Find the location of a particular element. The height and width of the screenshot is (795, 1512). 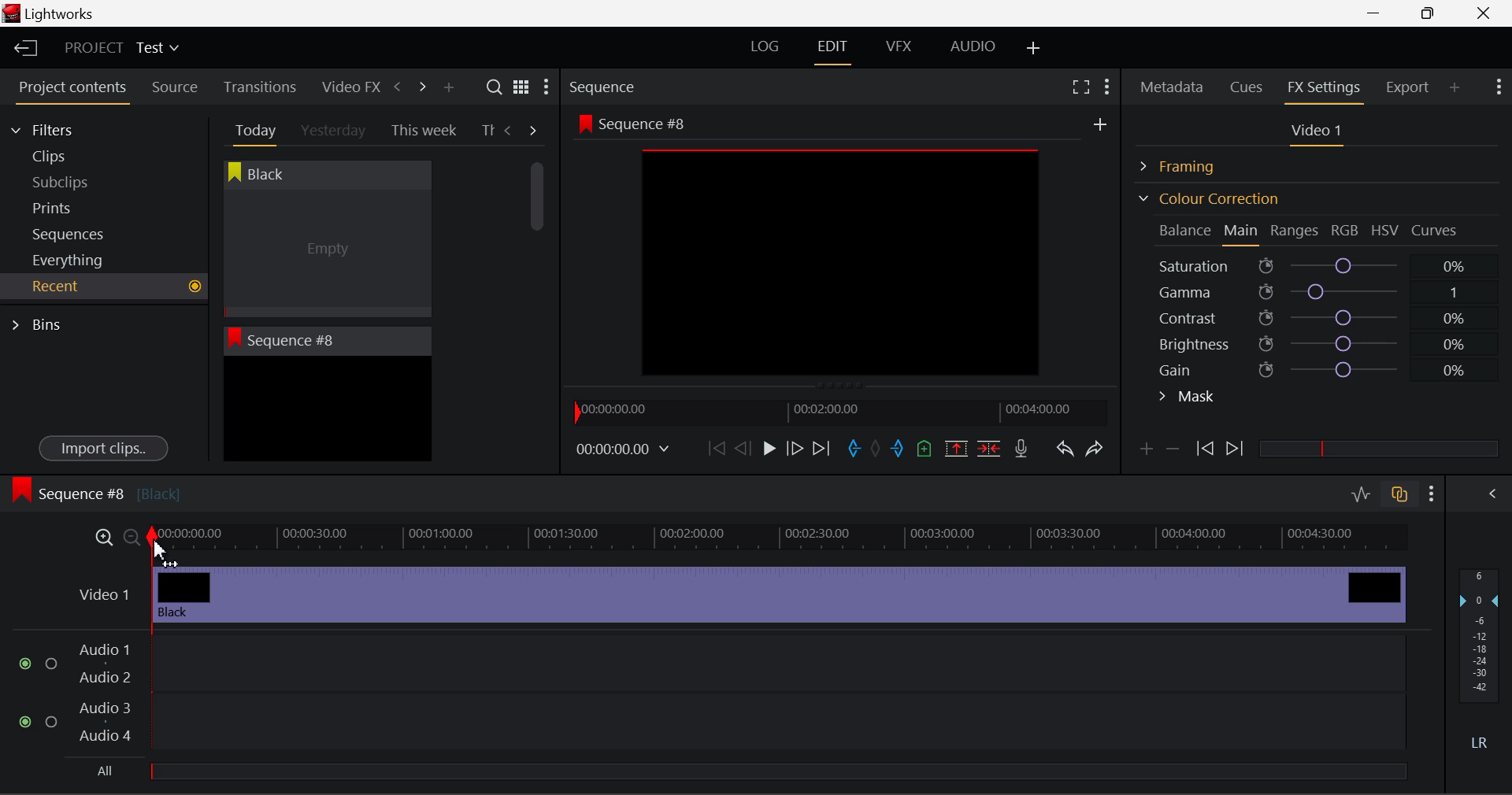

Show Settings is located at coordinates (545, 91).